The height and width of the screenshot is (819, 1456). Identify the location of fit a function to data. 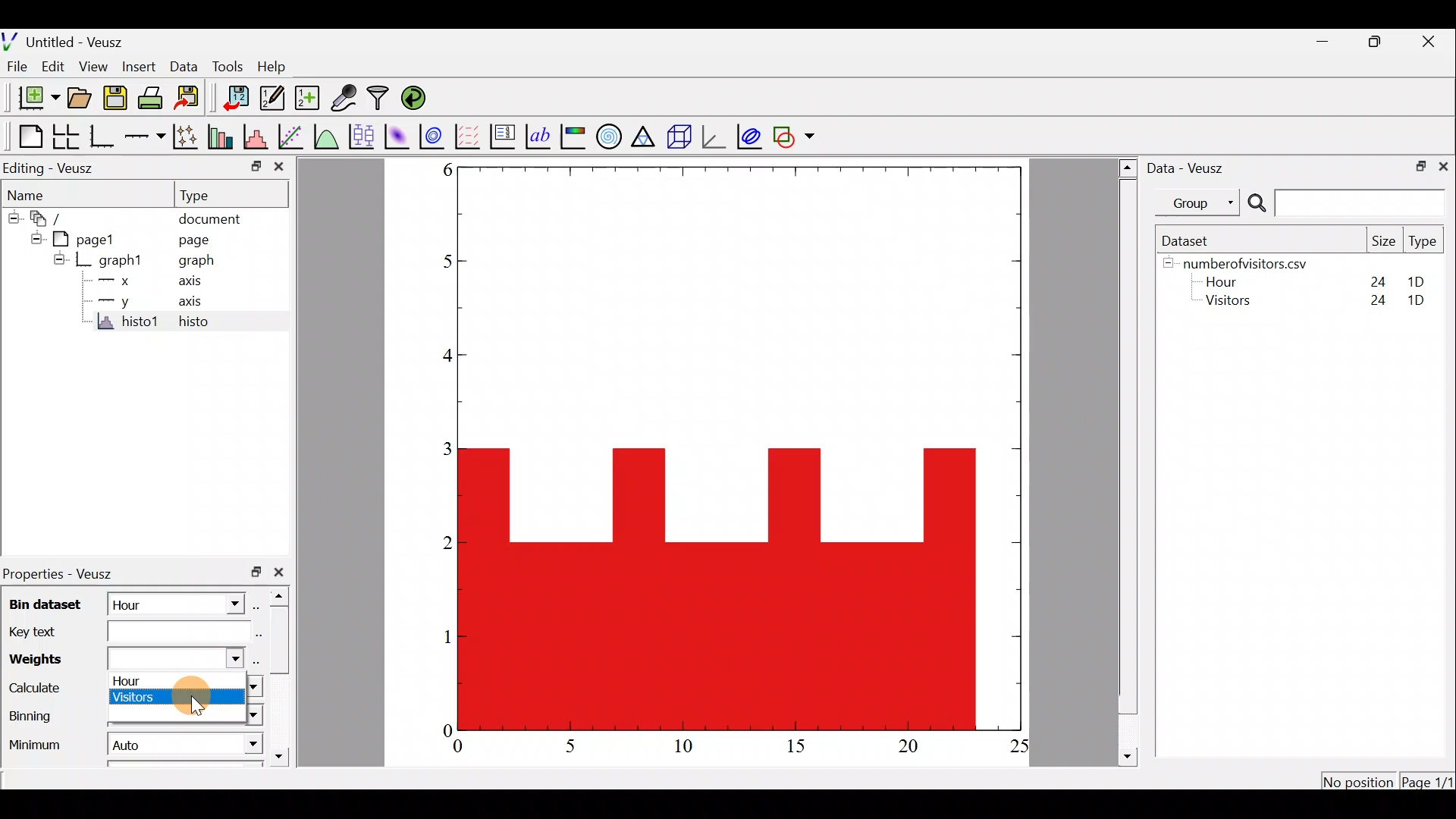
(294, 137).